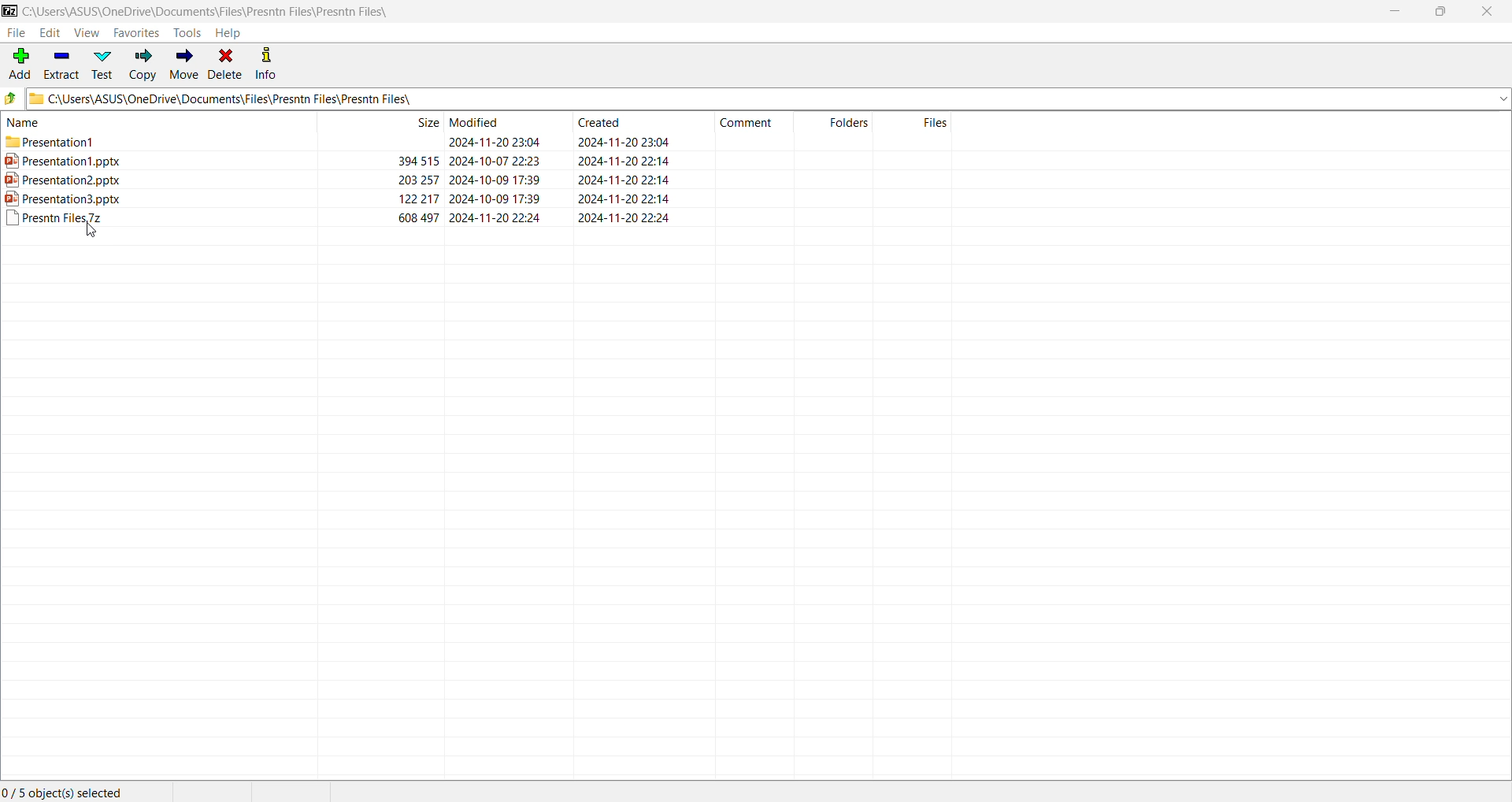 Image resolution: width=1512 pixels, height=802 pixels. What do you see at coordinates (621, 161) in the screenshot?
I see `2024-11-20 22:14` at bounding box center [621, 161].